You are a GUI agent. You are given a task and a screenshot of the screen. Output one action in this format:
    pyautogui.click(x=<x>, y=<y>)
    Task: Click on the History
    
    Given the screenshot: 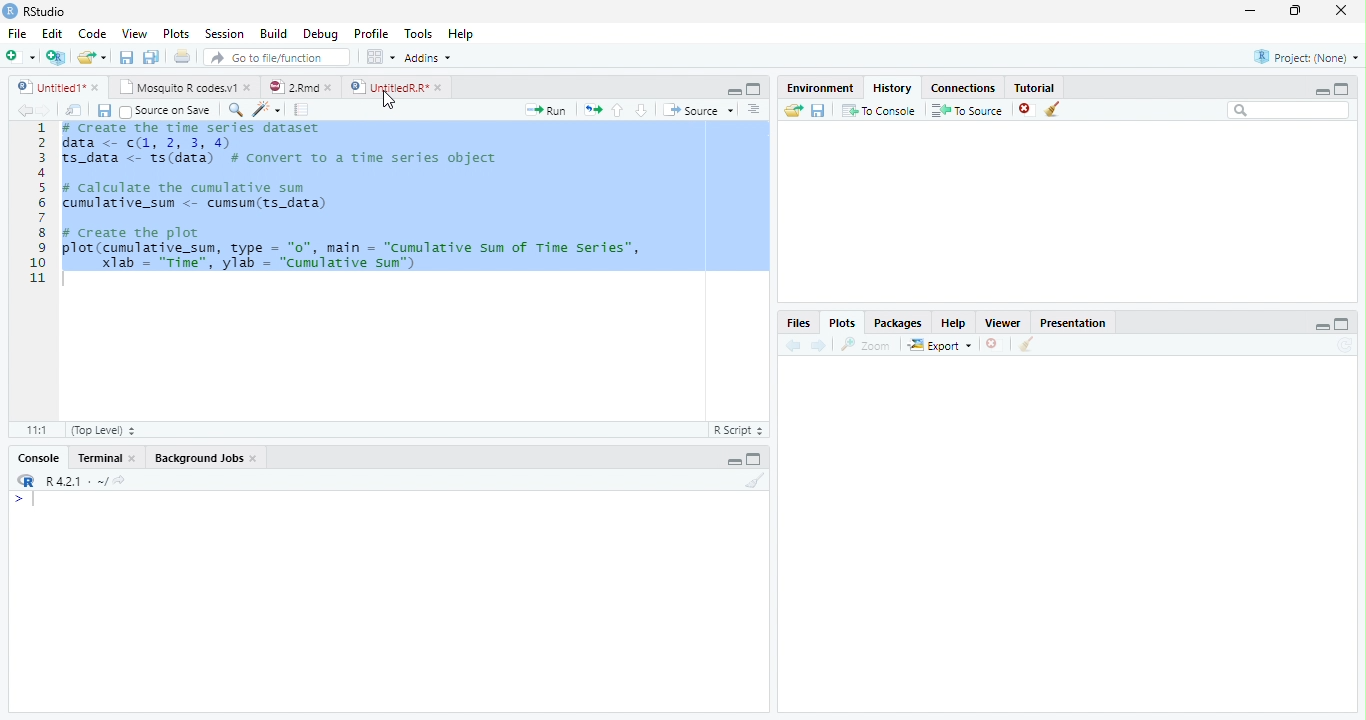 What is the action you would take?
    pyautogui.click(x=890, y=88)
    